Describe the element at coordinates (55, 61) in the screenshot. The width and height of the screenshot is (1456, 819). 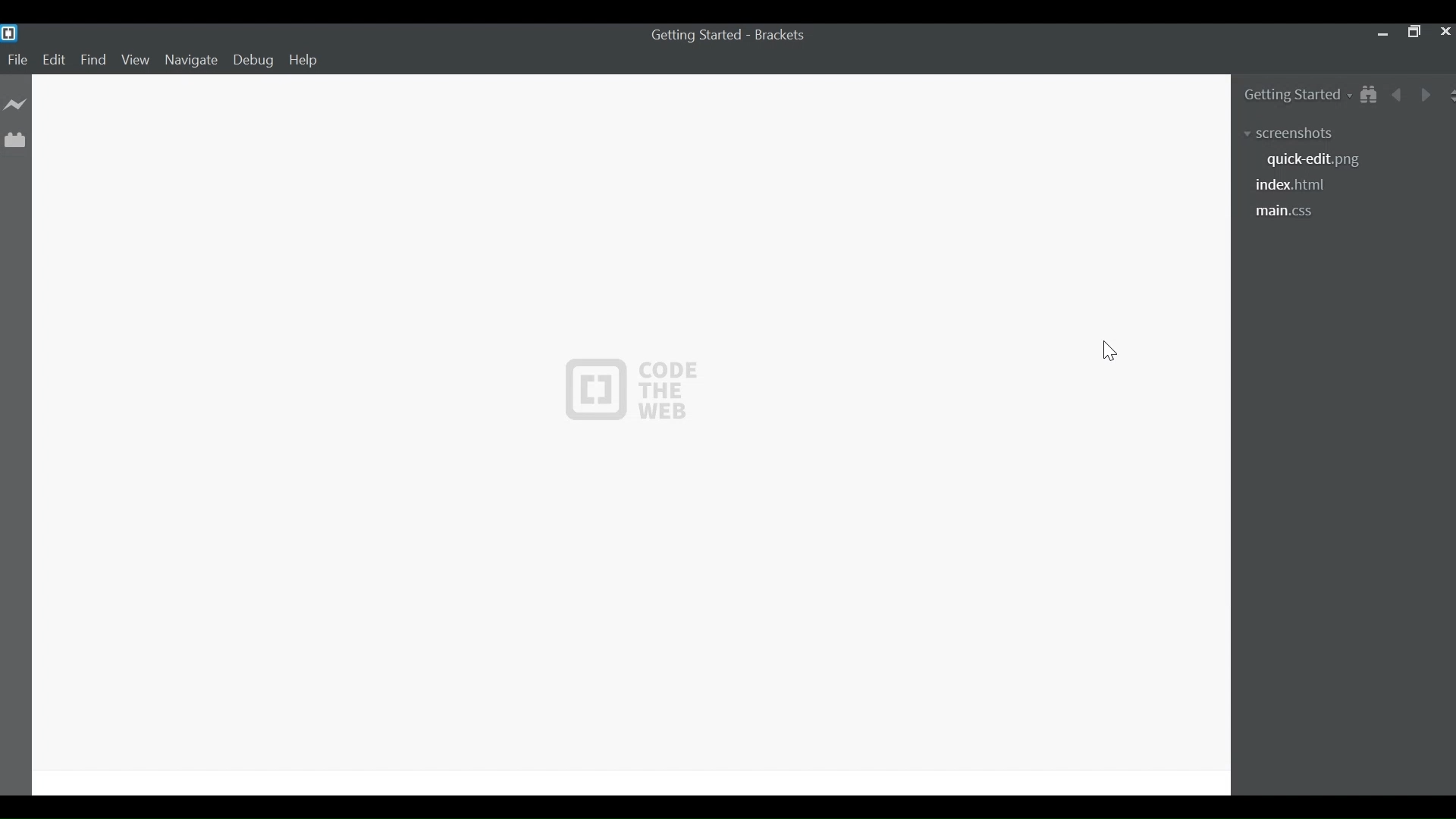
I see `Edit` at that location.